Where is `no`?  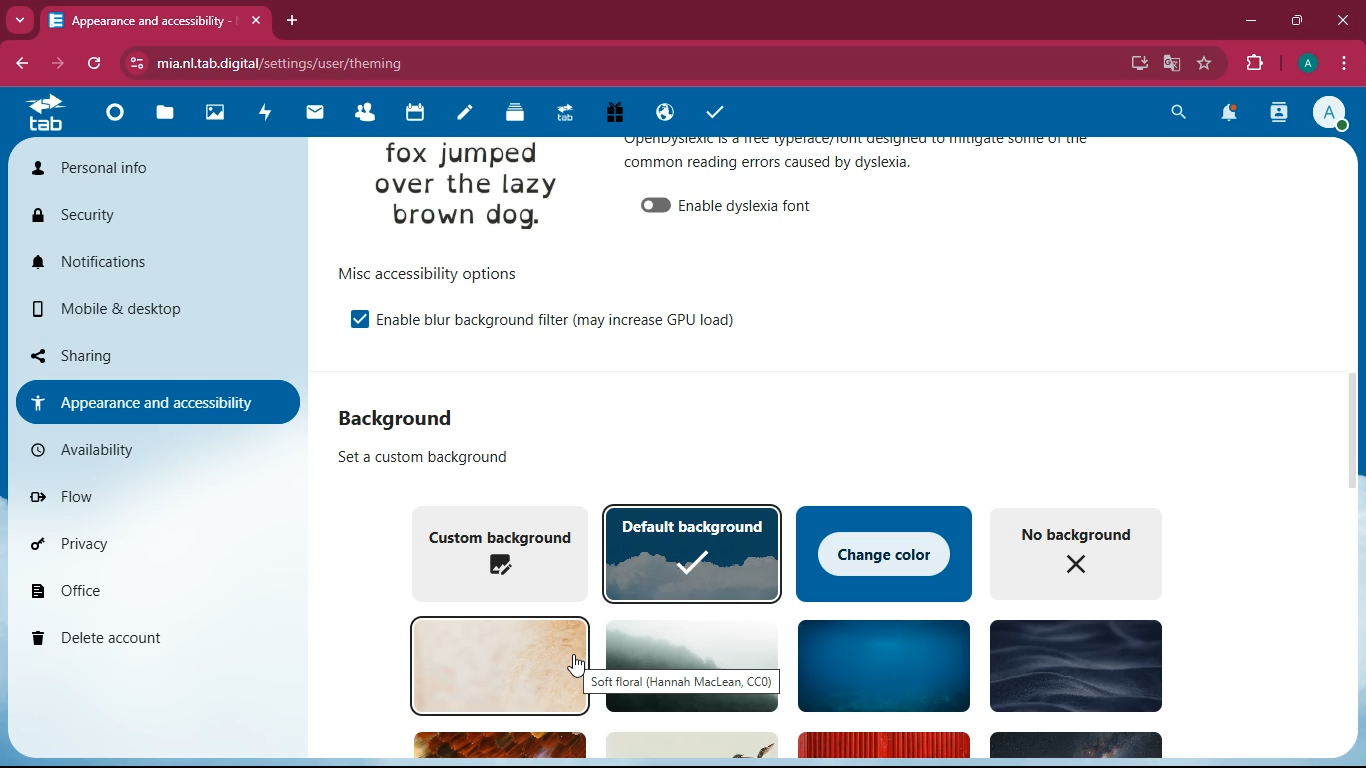 no is located at coordinates (1077, 555).